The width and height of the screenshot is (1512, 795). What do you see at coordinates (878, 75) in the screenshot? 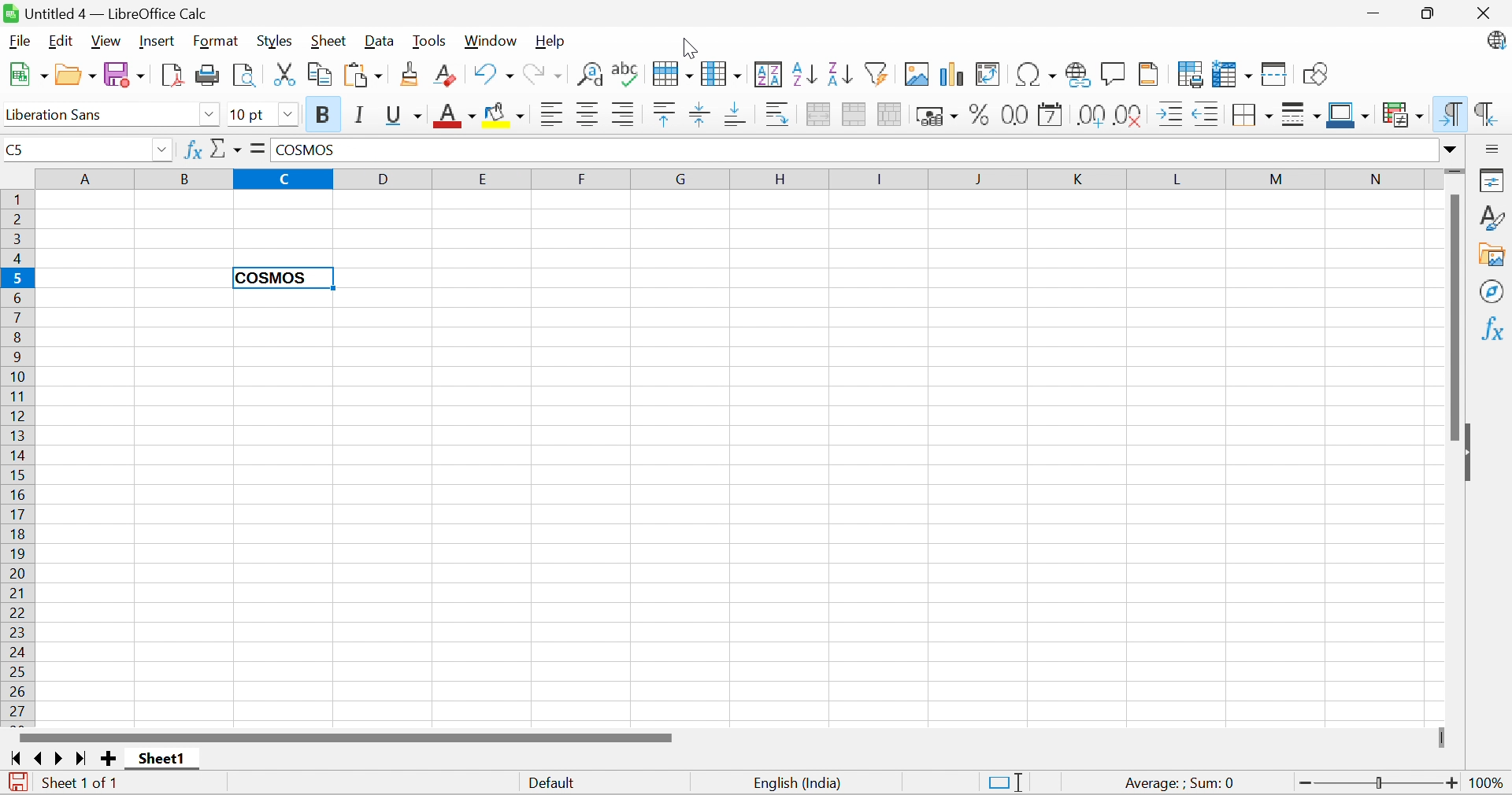
I see `AutoFilter` at bounding box center [878, 75].